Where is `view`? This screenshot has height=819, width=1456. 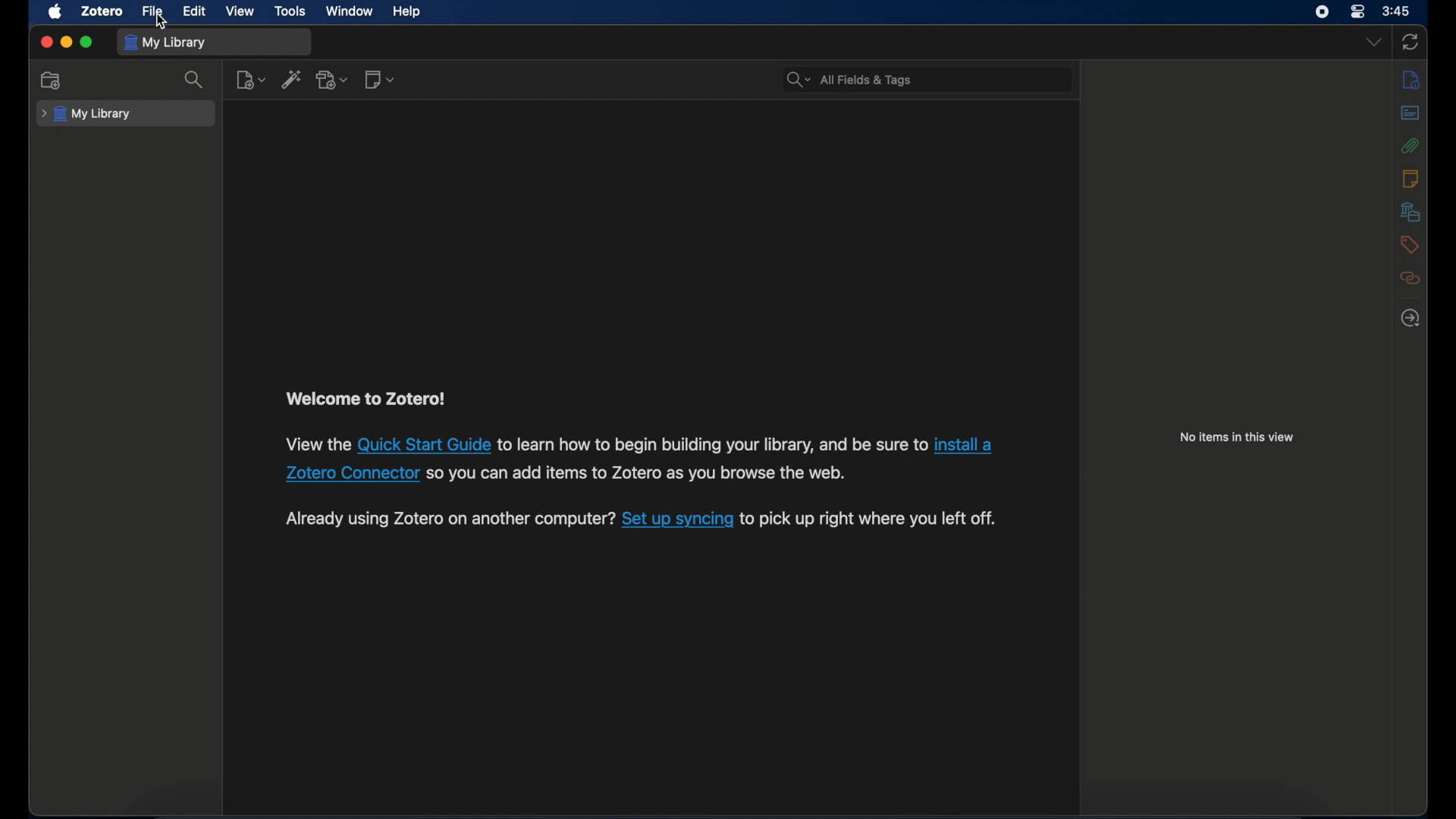
view is located at coordinates (240, 11).